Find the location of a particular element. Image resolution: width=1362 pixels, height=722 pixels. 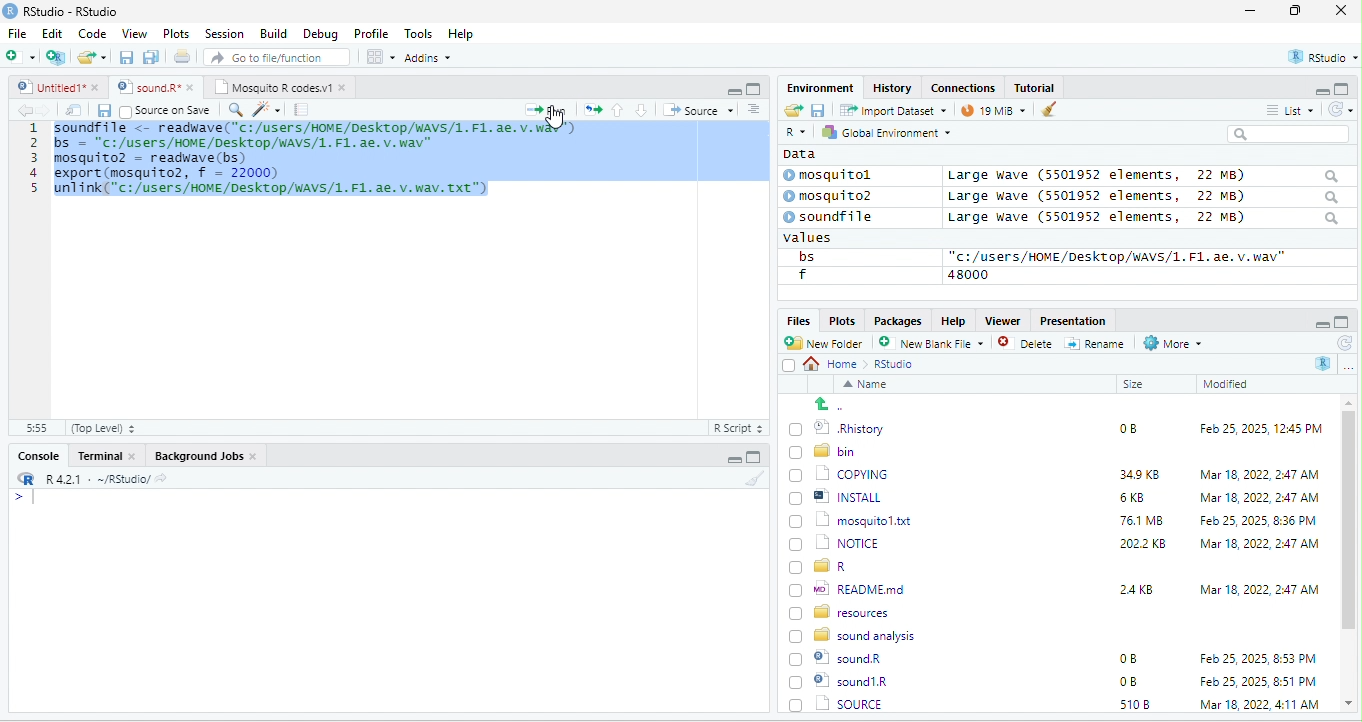

refresh is located at coordinates (1337, 109).